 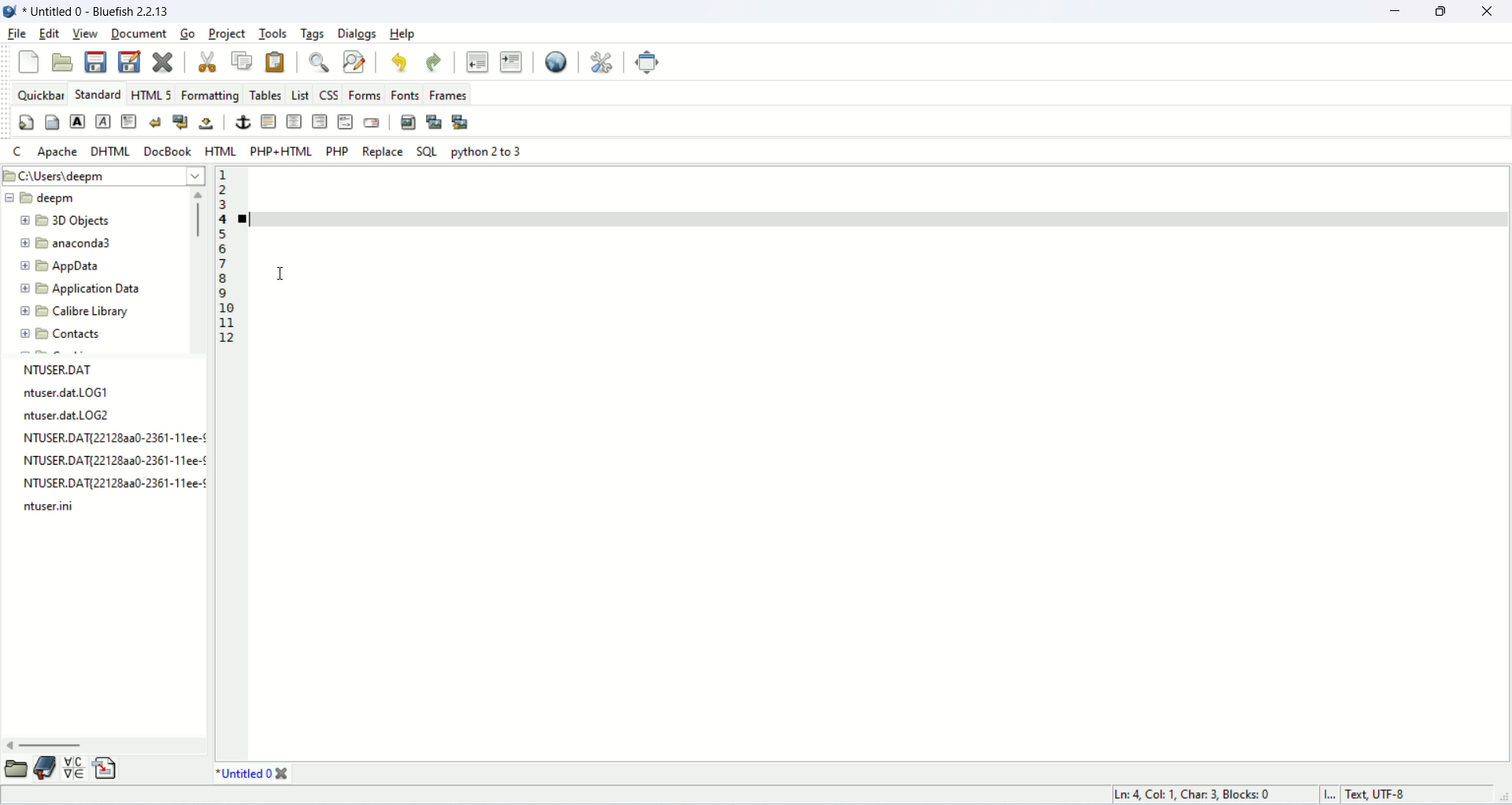 What do you see at coordinates (61, 61) in the screenshot?
I see `open file` at bounding box center [61, 61].